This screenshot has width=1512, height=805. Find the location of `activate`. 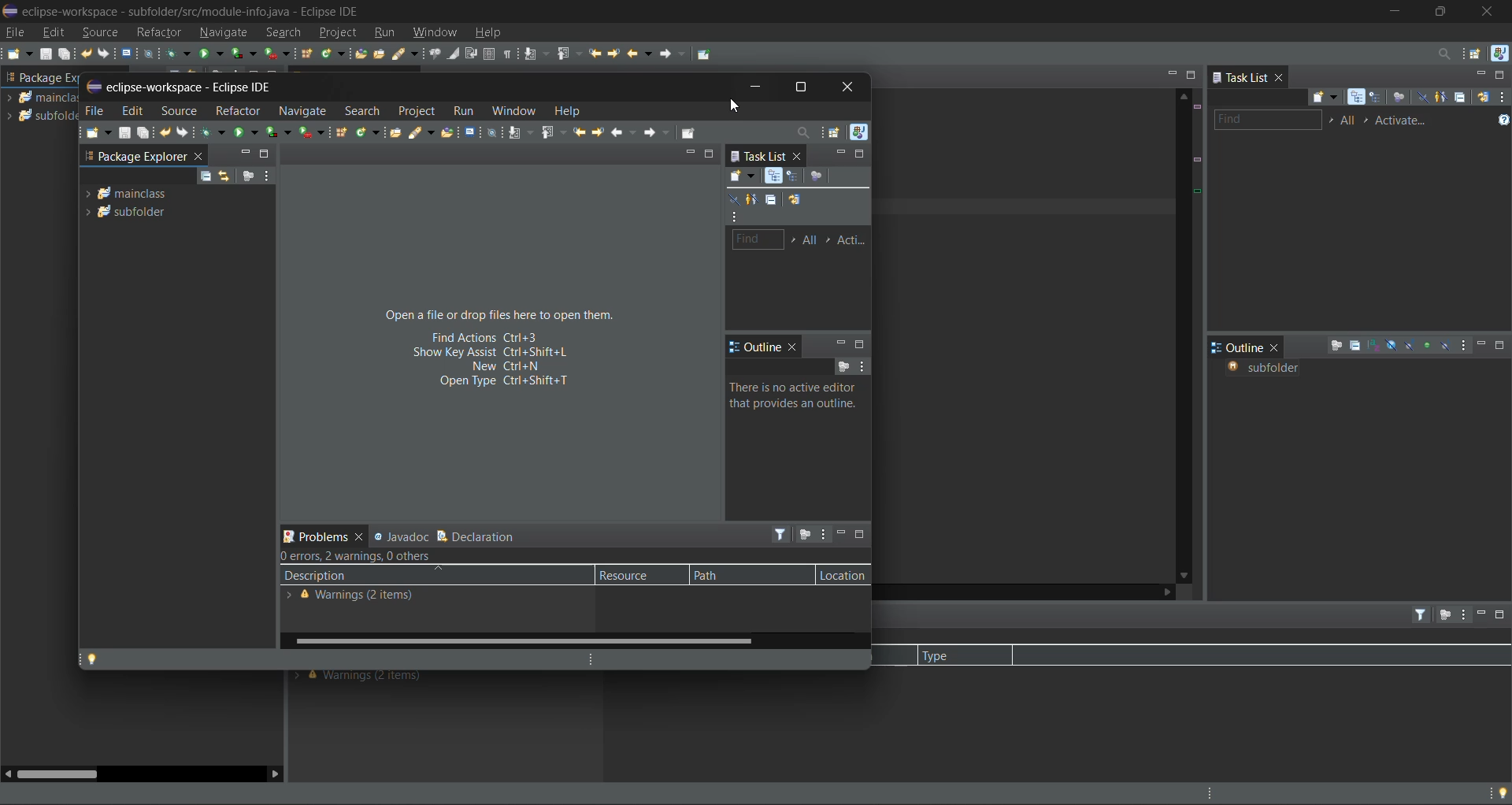

activate is located at coordinates (853, 239).